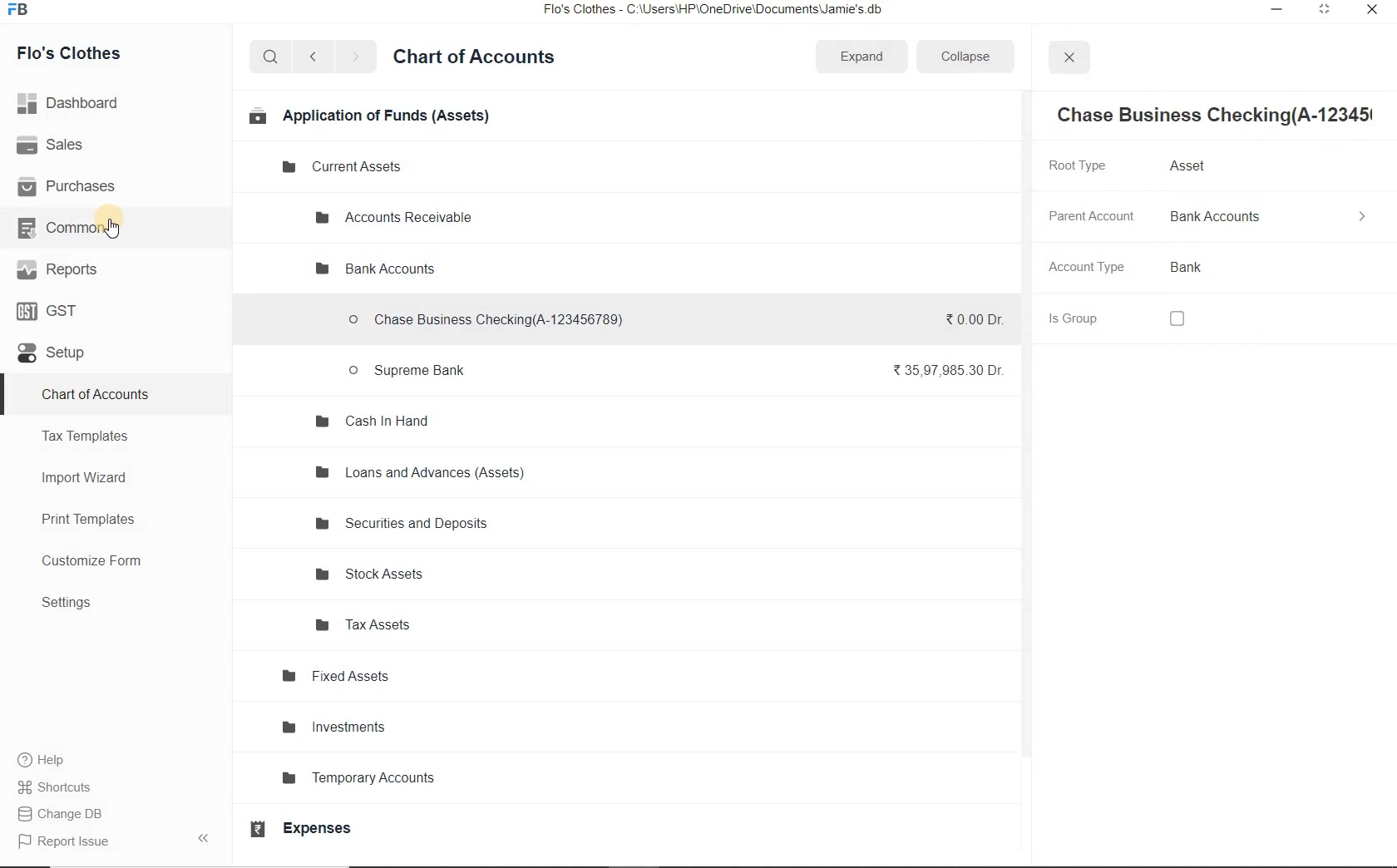 Image resolution: width=1397 pixels, height=868 pixels. I want to click on Bank Accounts, so click(378, 271).